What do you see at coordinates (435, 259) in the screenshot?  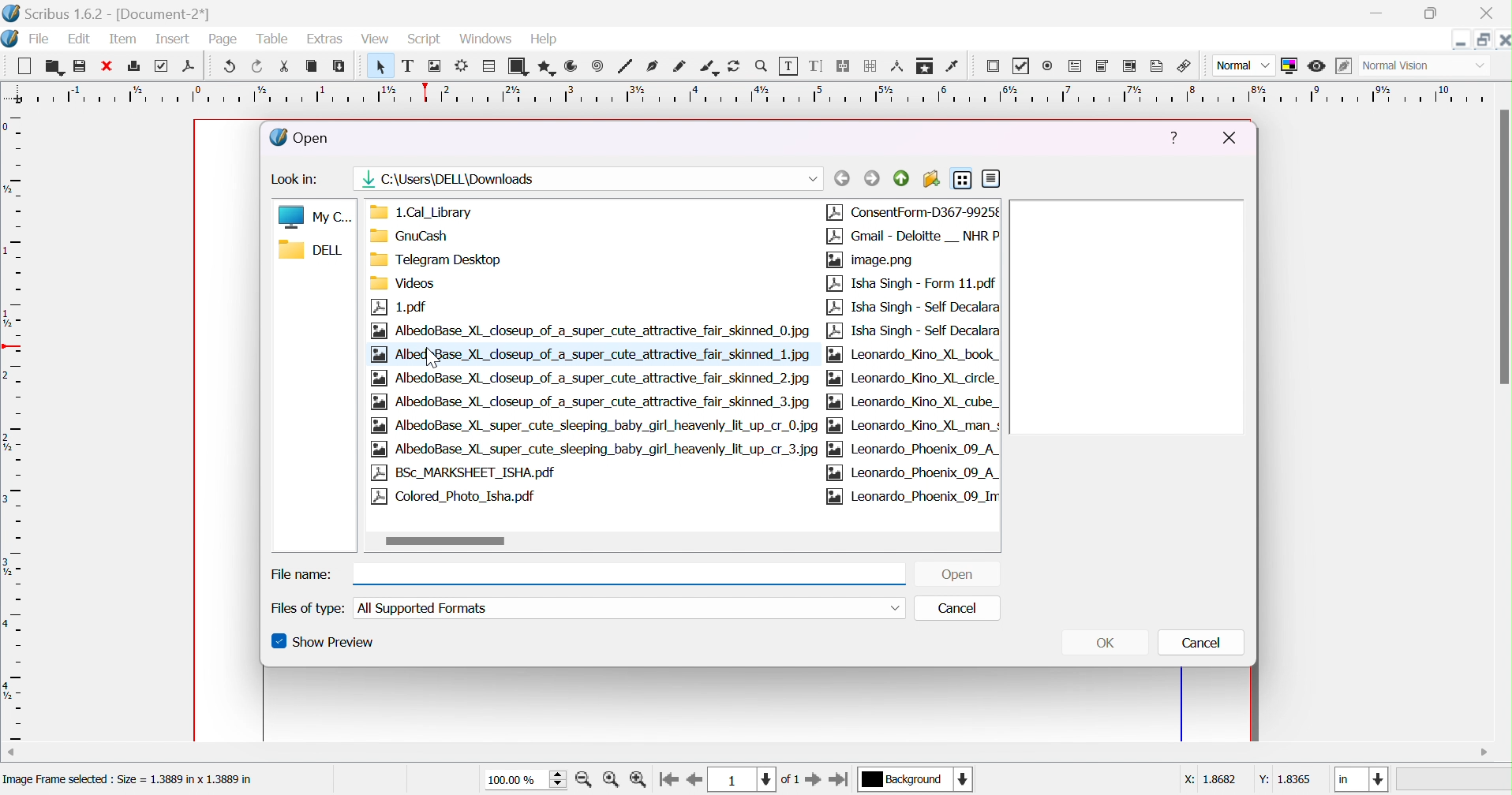 I see `Telegram Desktop` at bounding box center [435, 259].